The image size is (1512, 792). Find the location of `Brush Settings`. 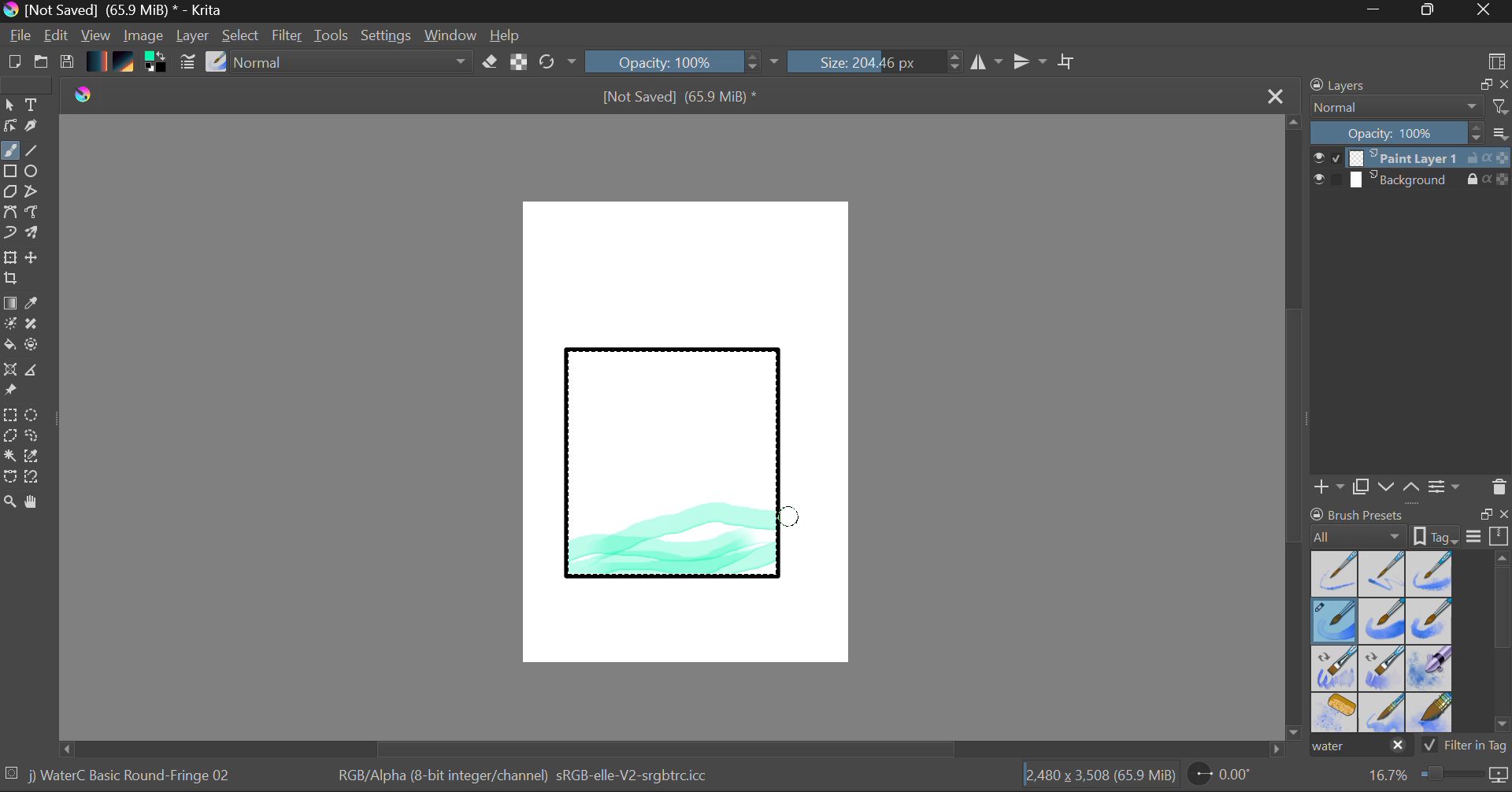

Brush Settings is located at coordinates (186, 63).